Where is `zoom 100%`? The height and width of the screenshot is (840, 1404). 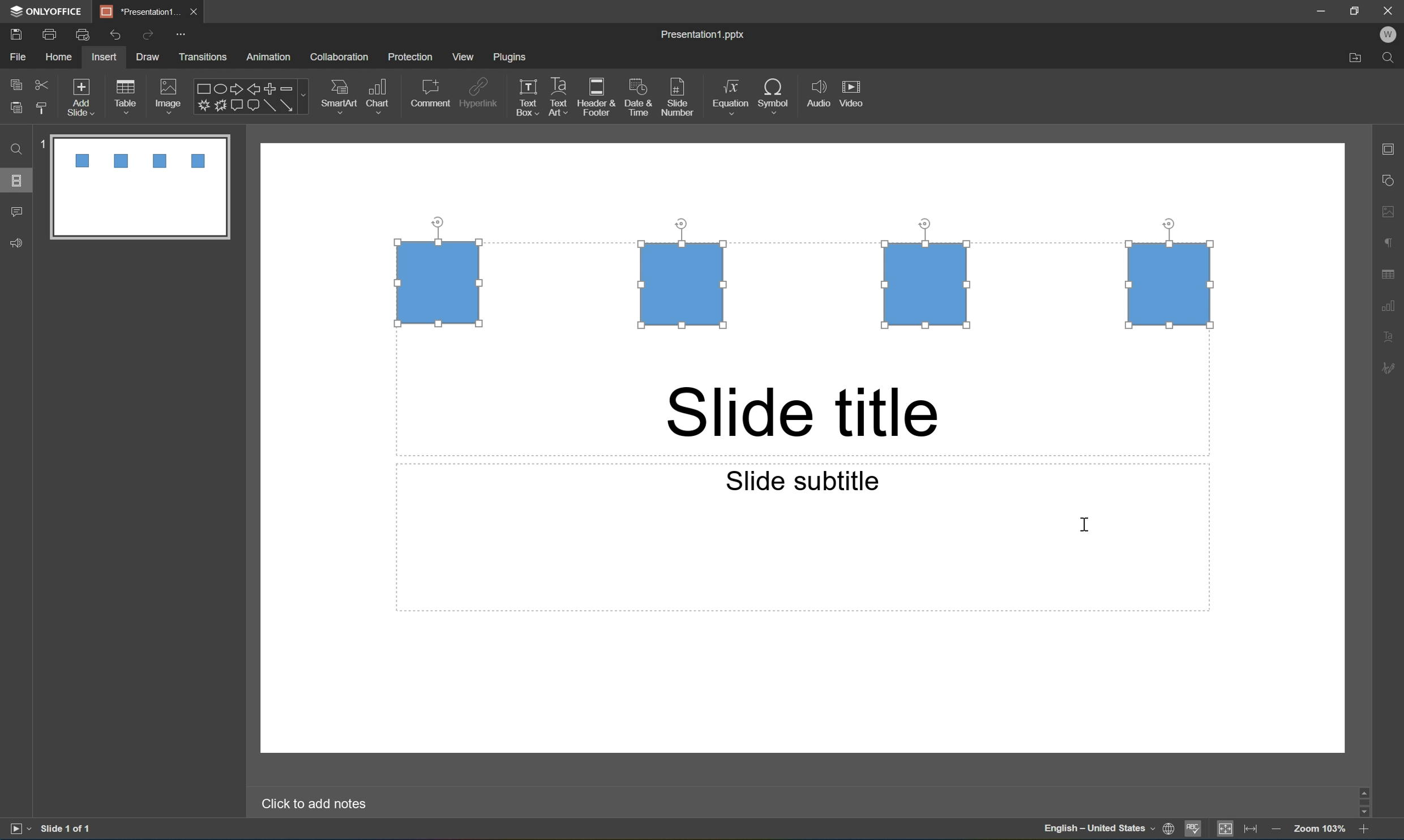
zoom 100% is located at coordinates (1321, 830).